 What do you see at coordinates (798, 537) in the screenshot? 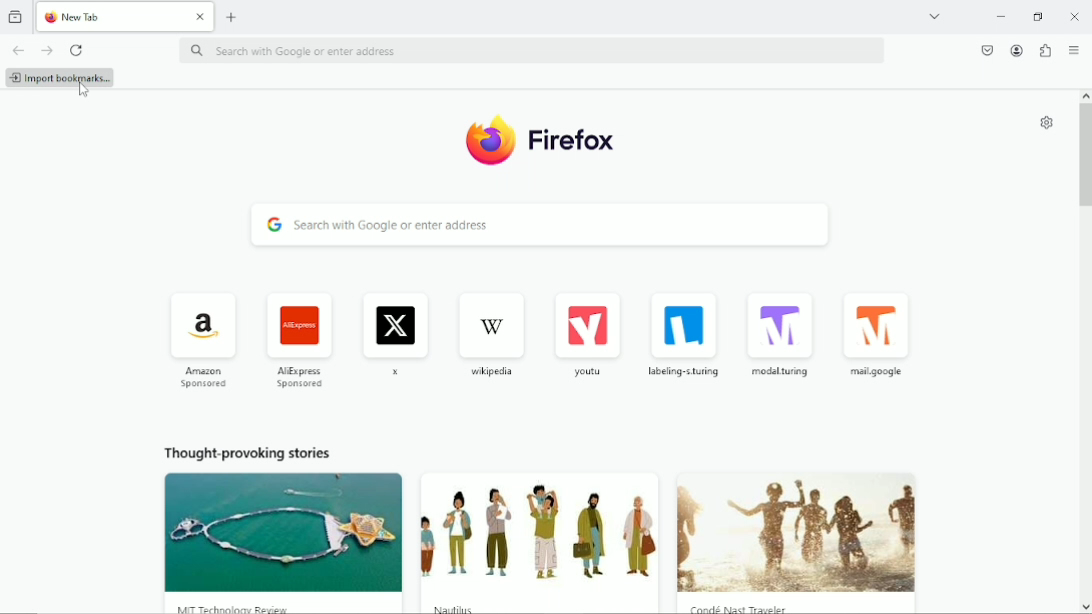
I see `Thought provoking story` at bounding box center [798, 537].